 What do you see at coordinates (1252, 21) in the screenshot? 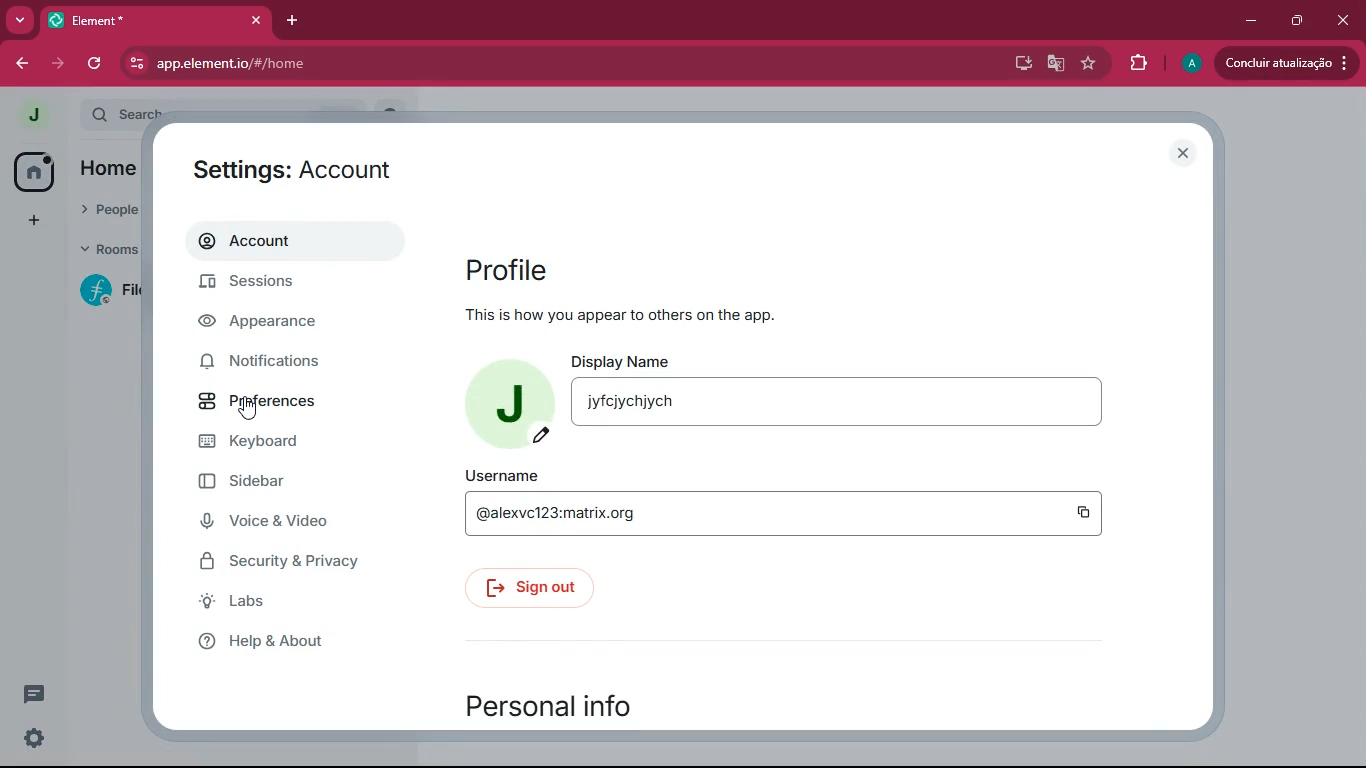
I see `minimize` at bounding box center [1252, 21].